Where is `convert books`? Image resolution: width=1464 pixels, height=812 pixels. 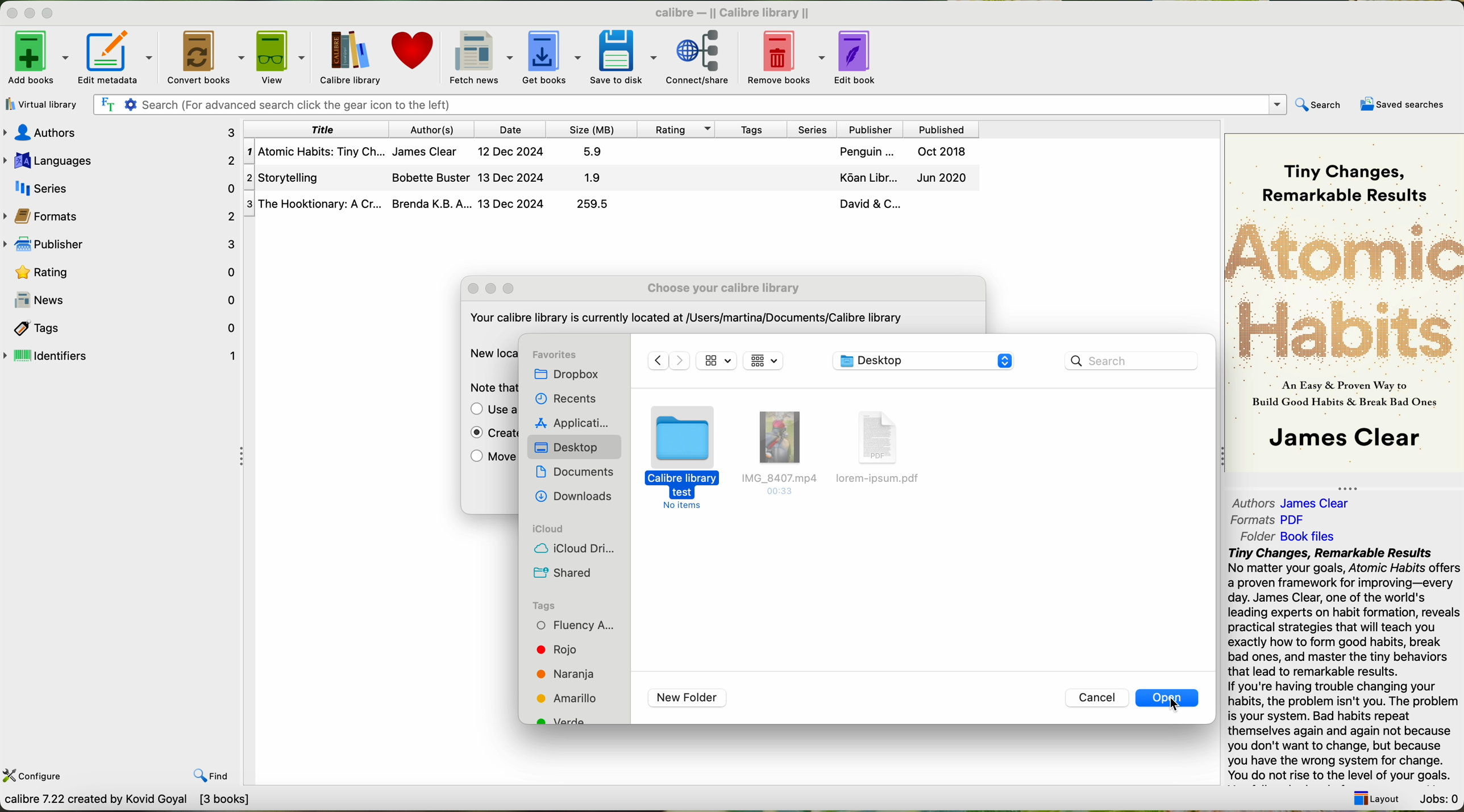
convert books is located at coordinates (207, 57).